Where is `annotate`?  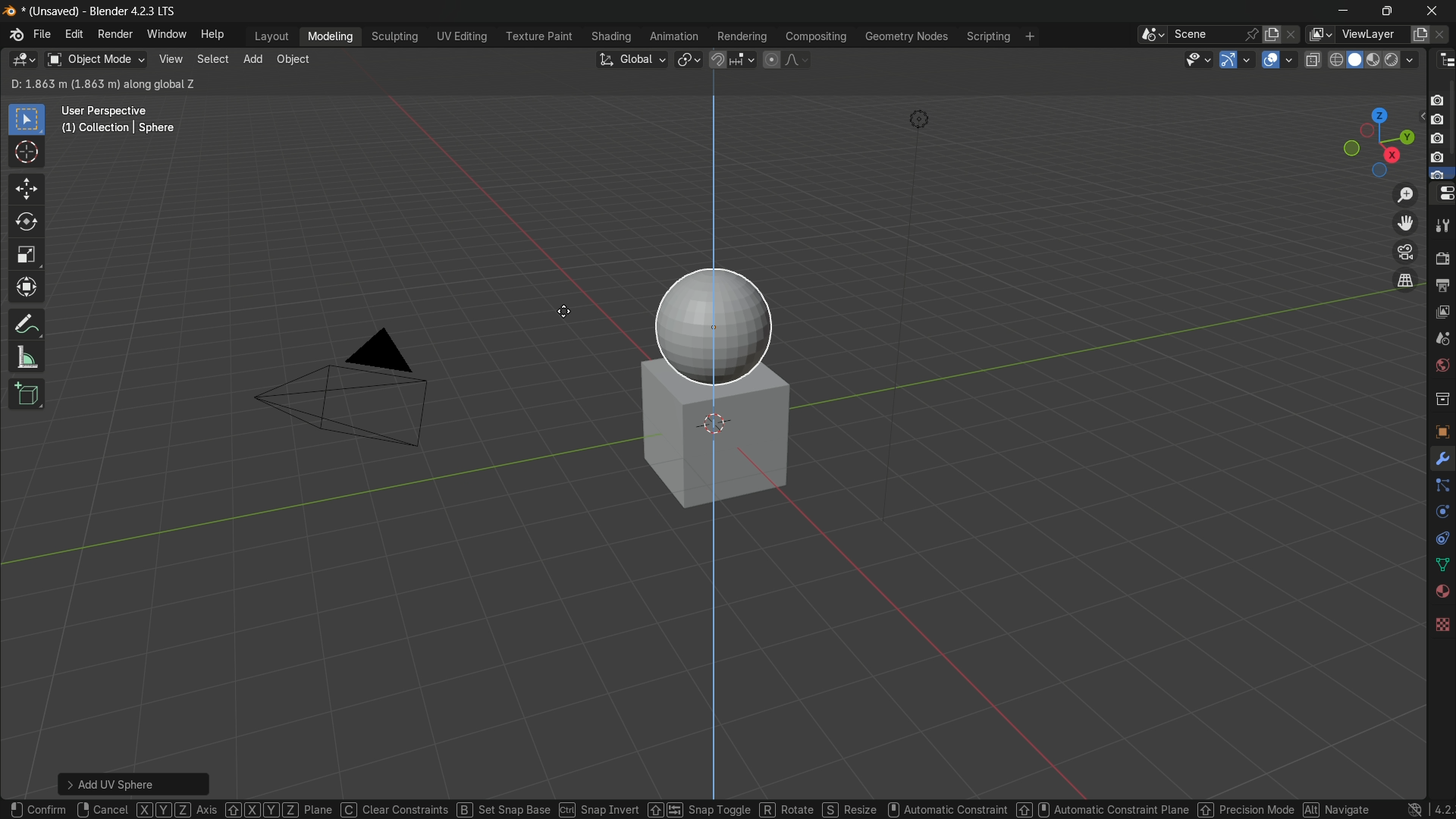
annotate is located at coordinates (27, 322).